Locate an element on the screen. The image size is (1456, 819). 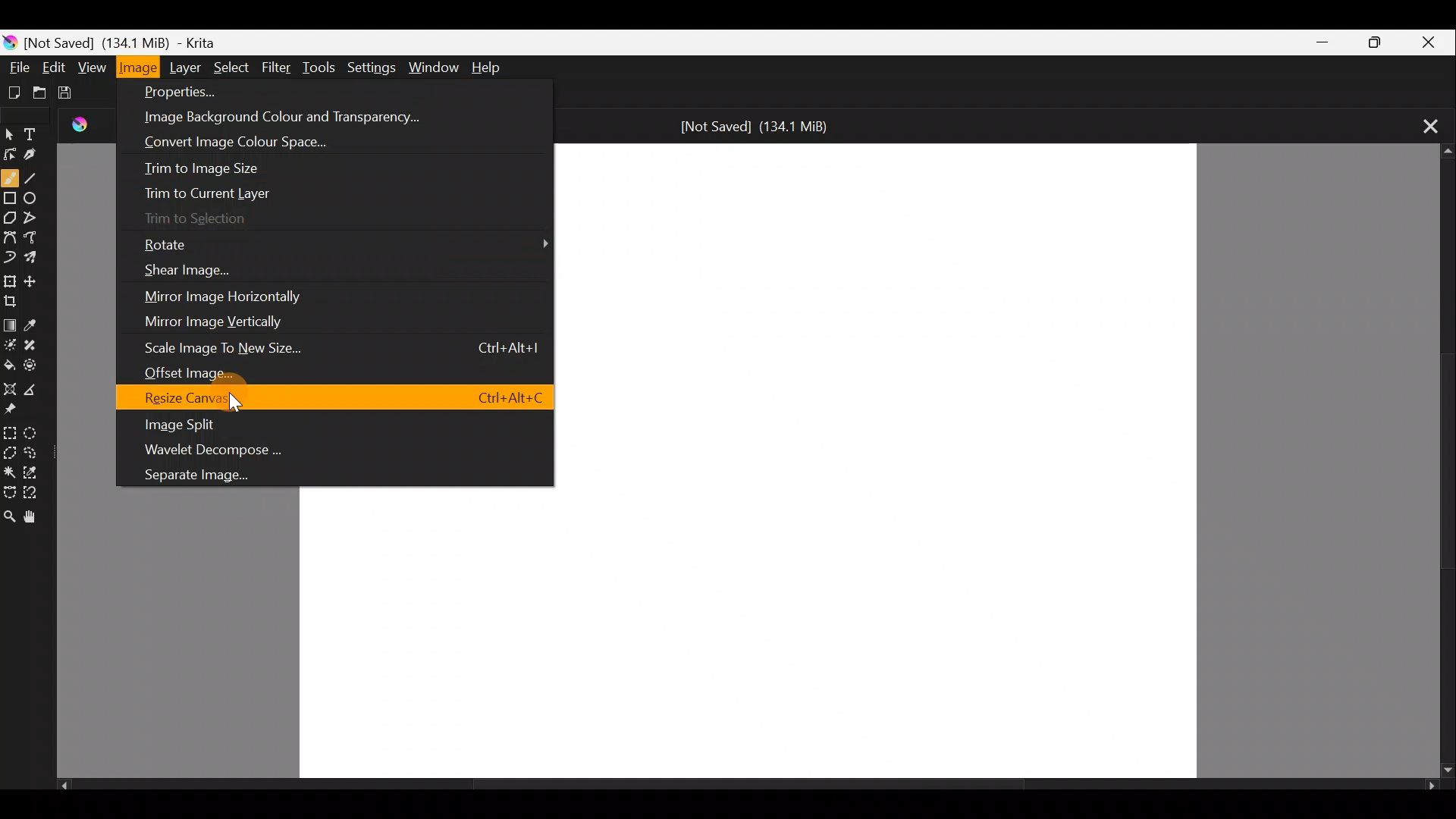
Trim to image size is located at coordinates (228, 165).